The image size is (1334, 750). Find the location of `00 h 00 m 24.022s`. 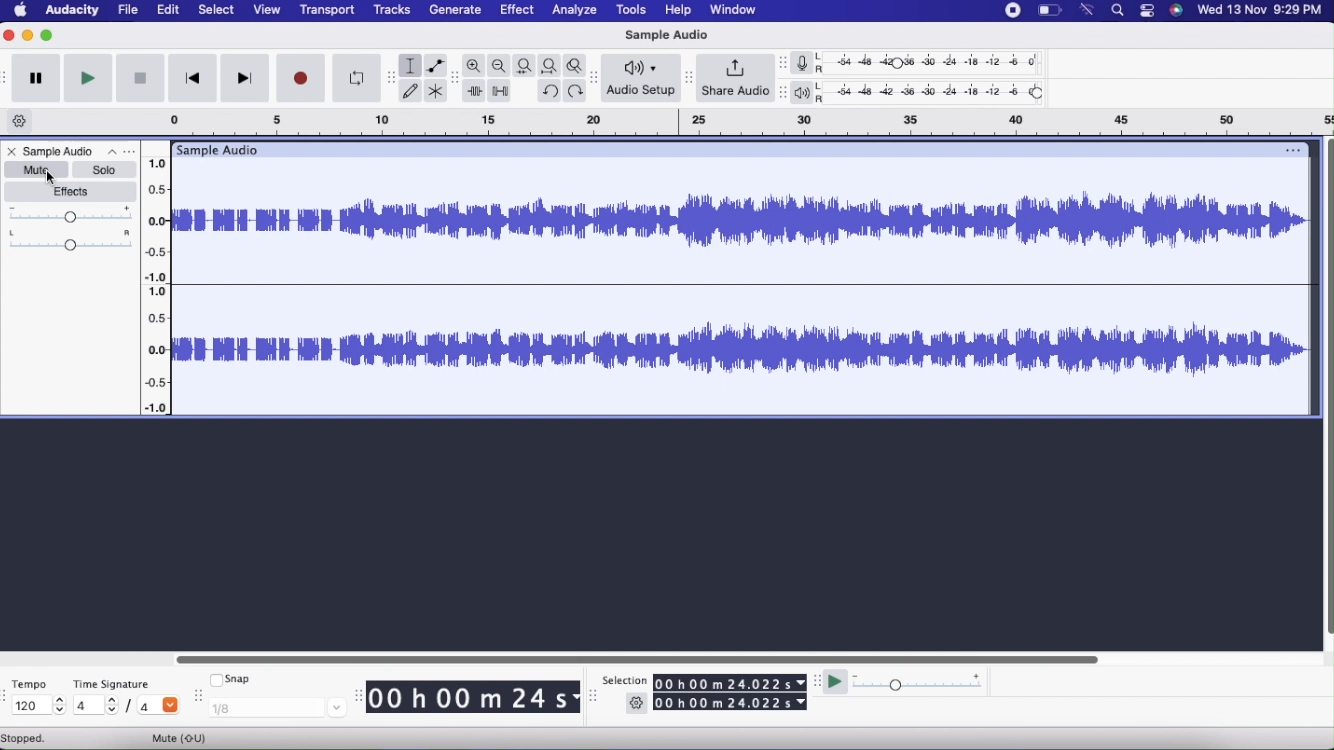

00 h 00 m 24.022s is located at coordinates (729, 683).